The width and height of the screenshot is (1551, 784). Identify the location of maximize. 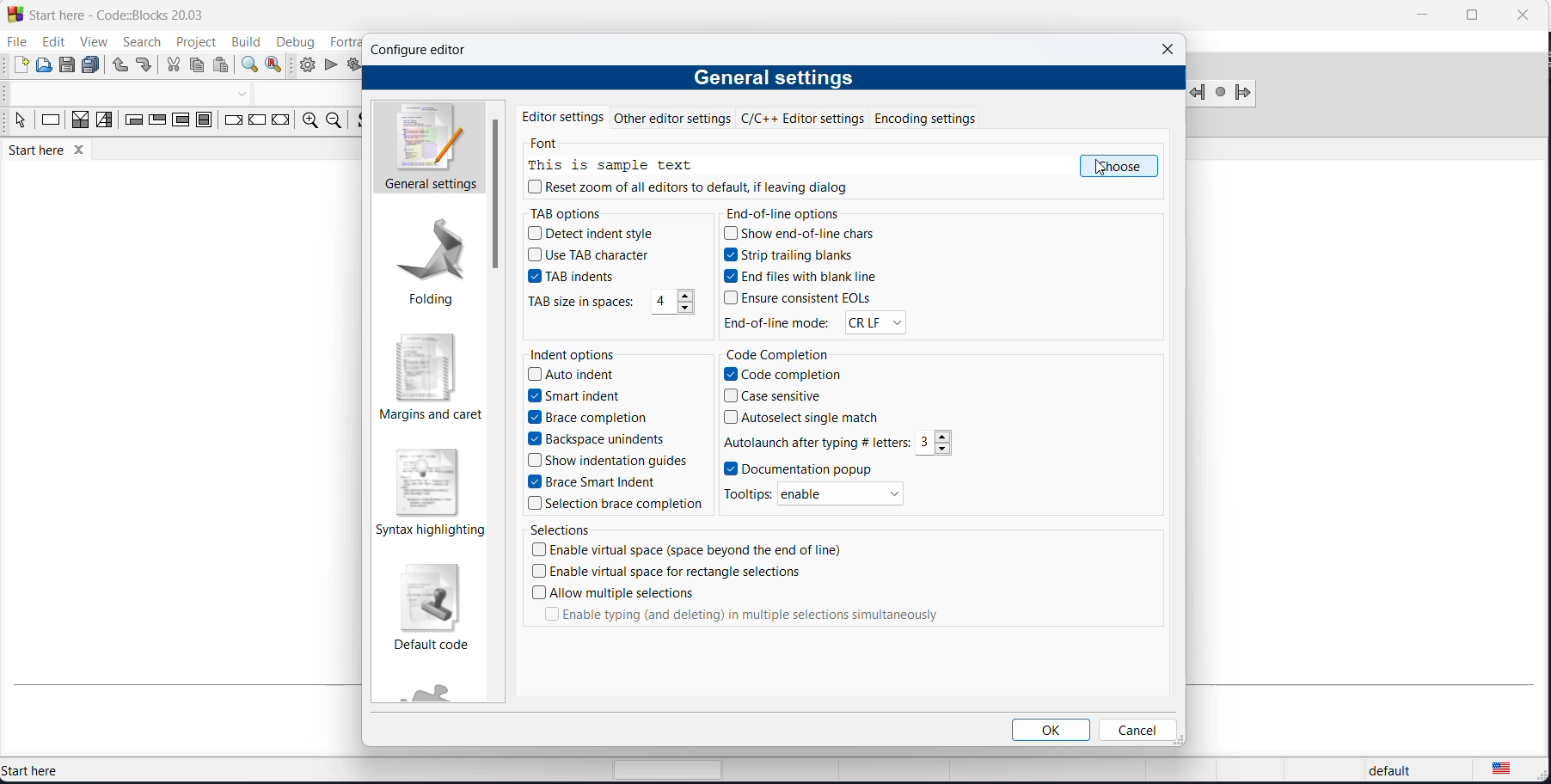
(1470, 15).